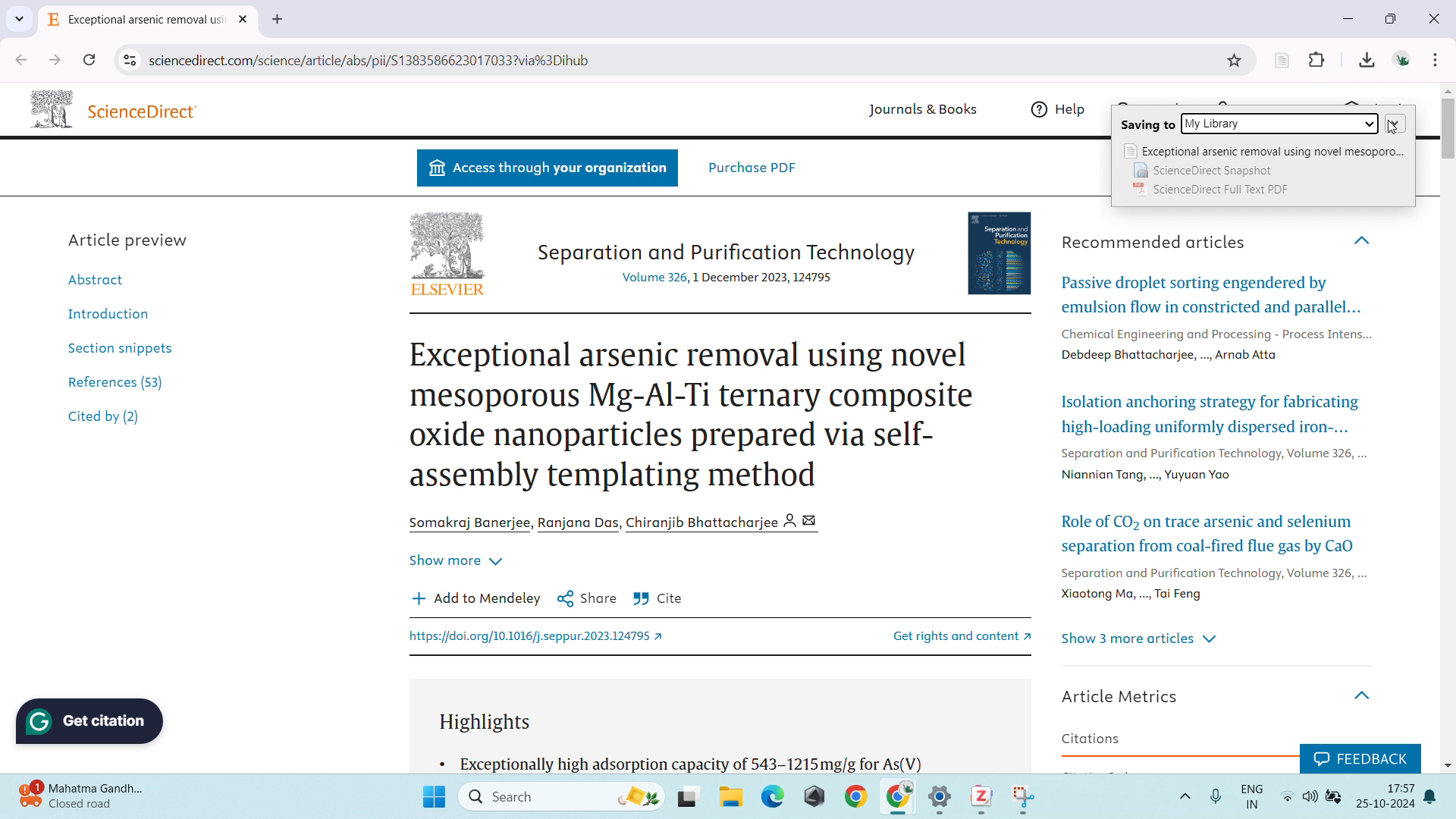 The width and height of the screenshot is (1456, 819). I want to click on ScienceDirect Full Text PDF, so click(1215, 190).